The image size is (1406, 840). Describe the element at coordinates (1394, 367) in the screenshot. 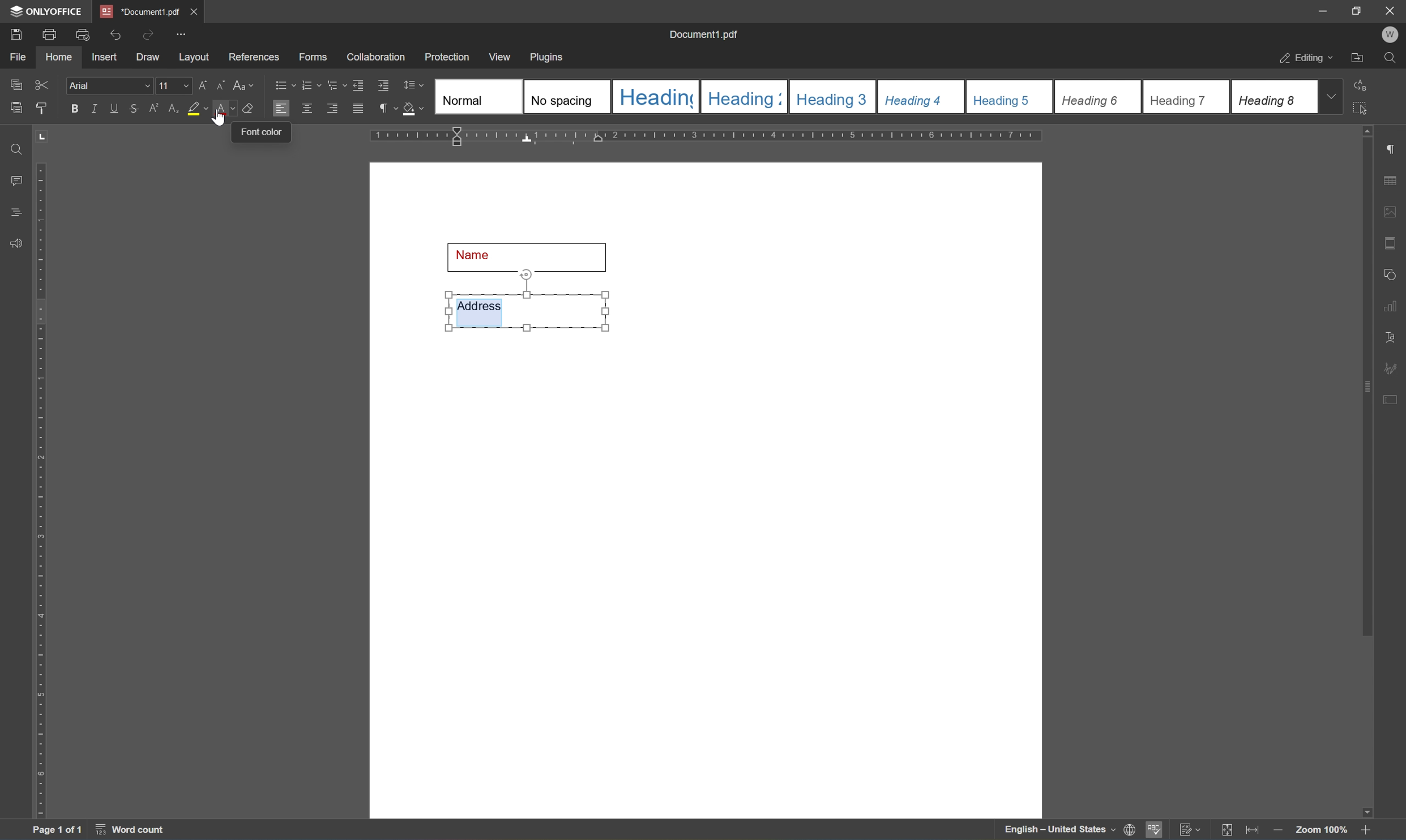

I see `signature settings` at that location.